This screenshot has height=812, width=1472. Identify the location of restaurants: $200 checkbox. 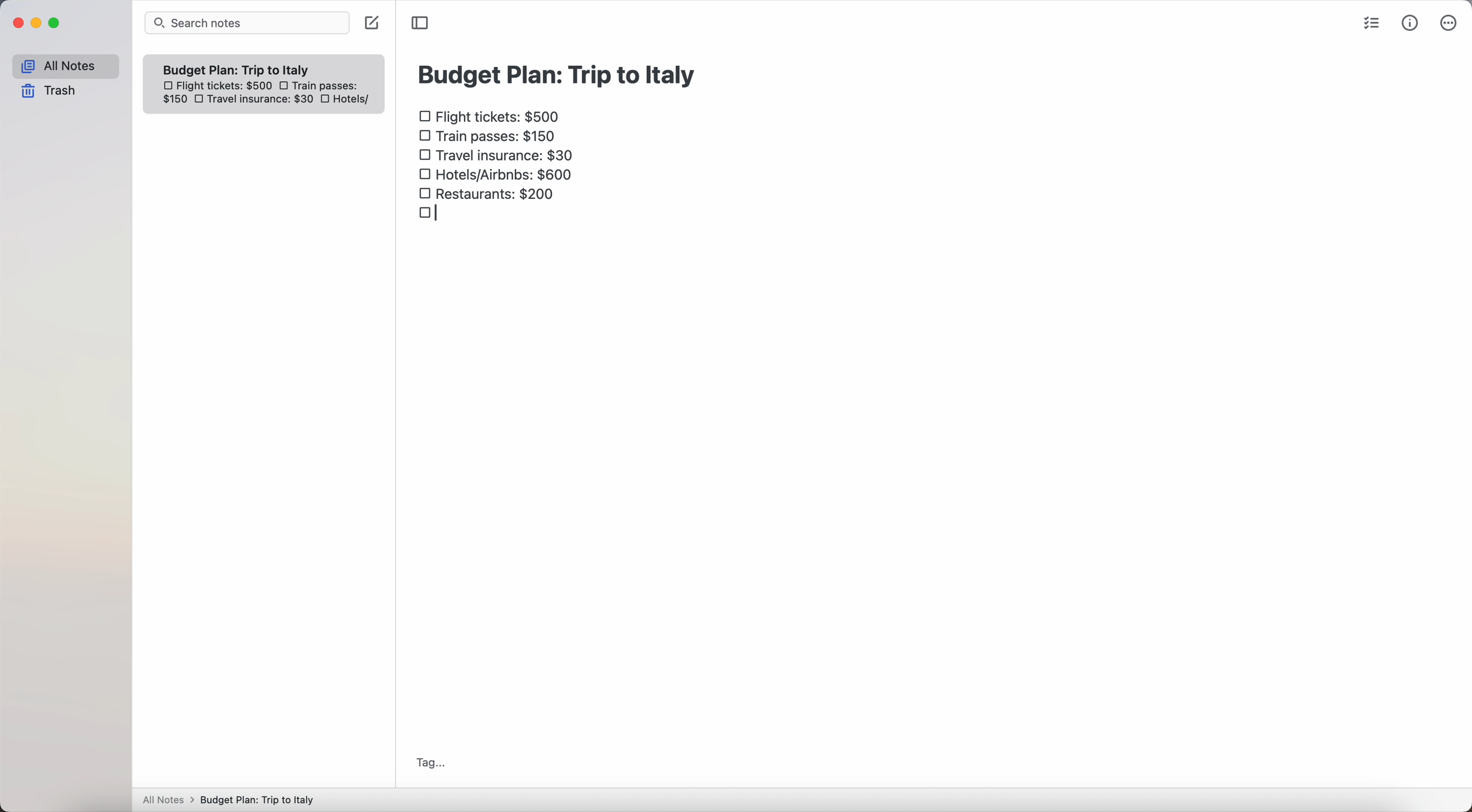
(487, 191).